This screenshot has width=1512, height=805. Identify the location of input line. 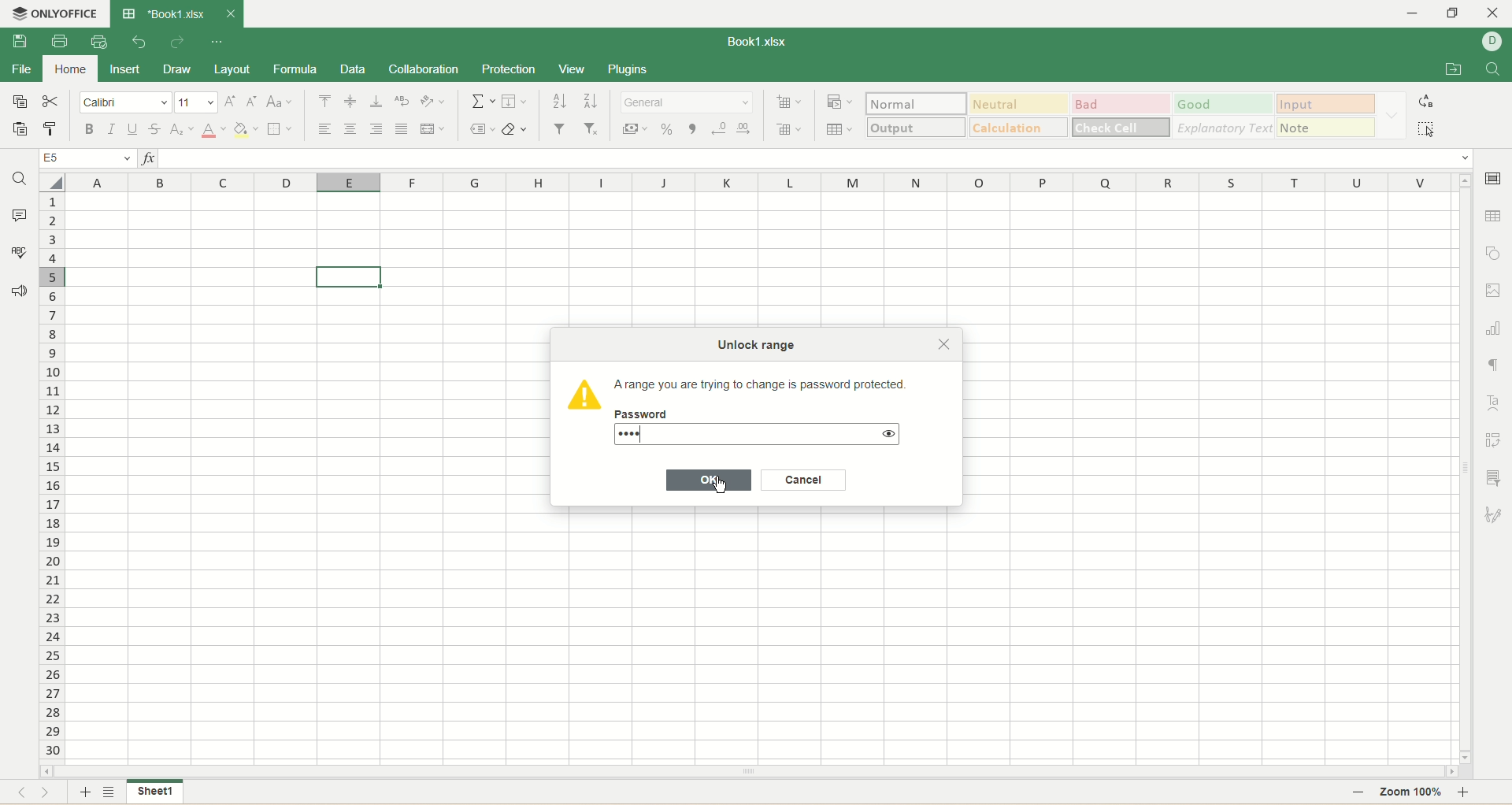
(817, 158).